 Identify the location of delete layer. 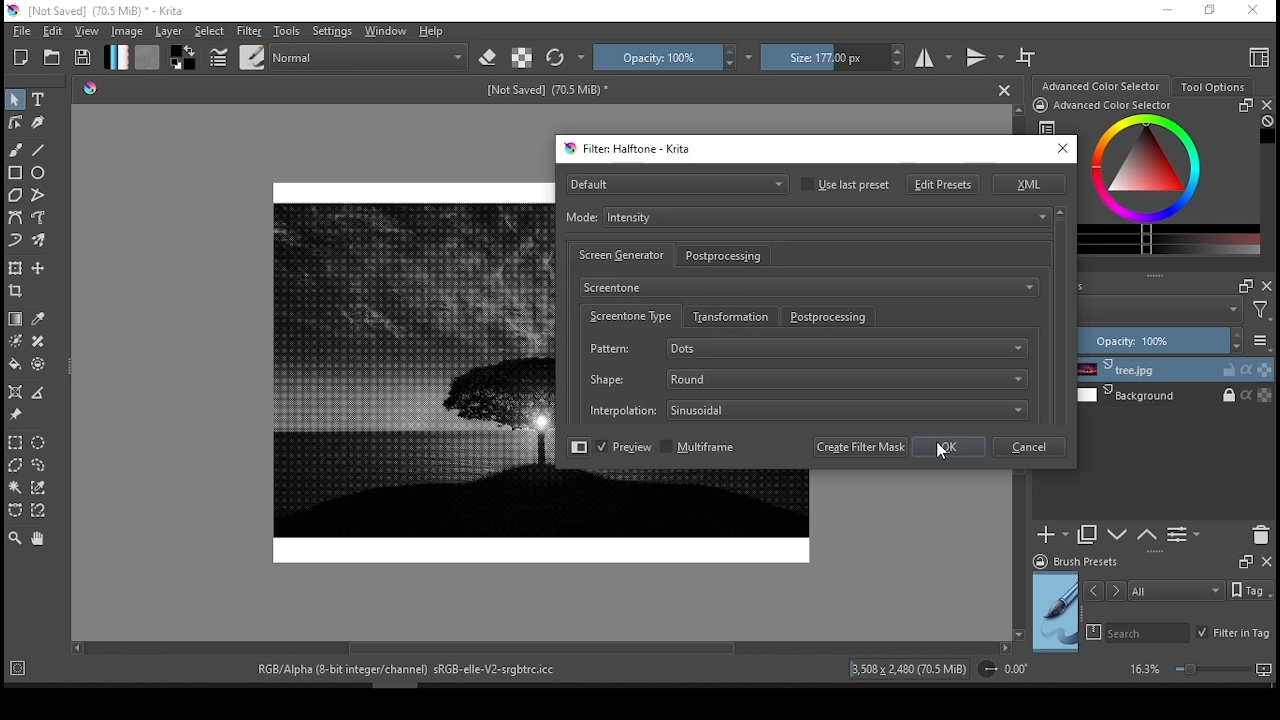
(1262, 533).